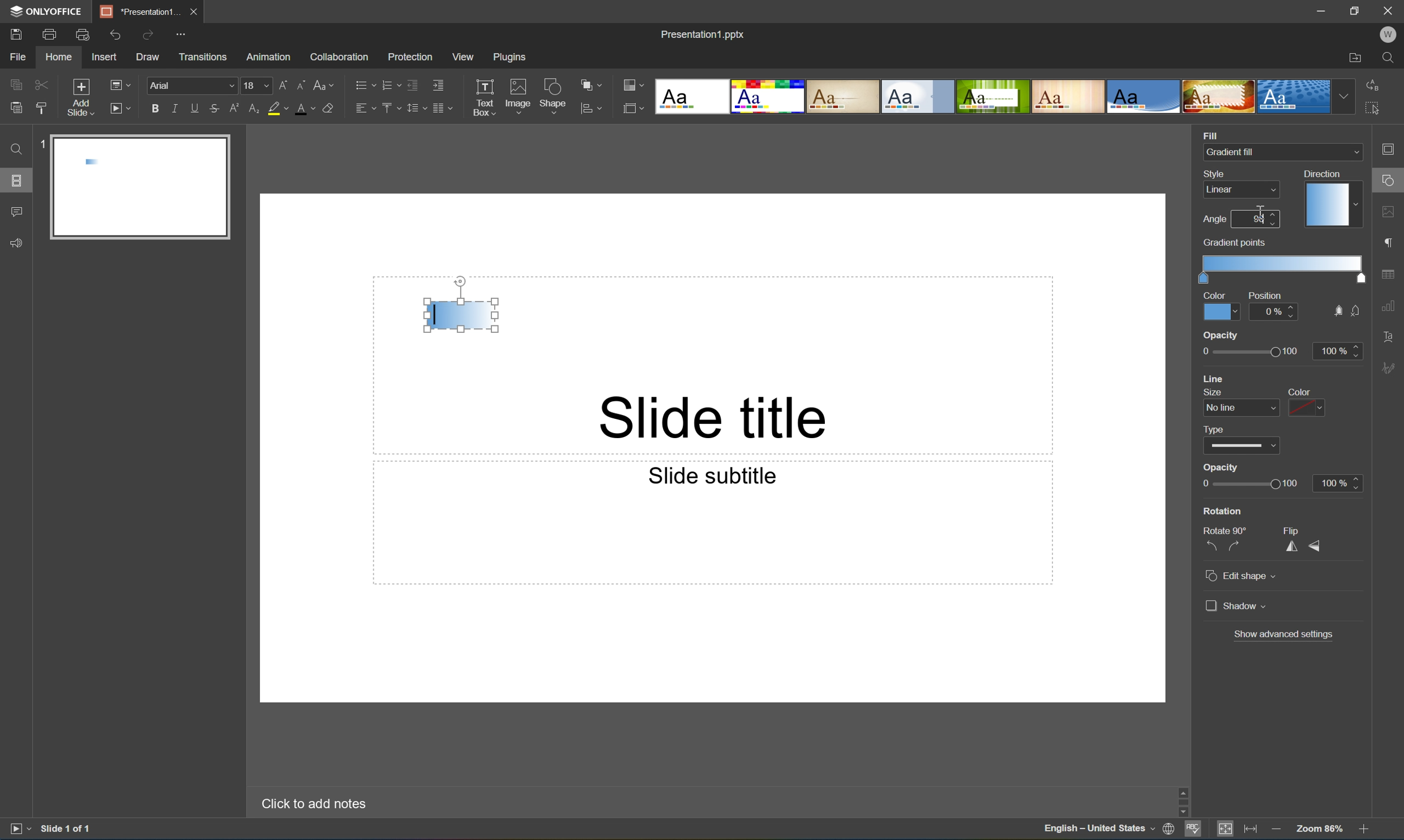 The height and width of the screenshot is (840, 1404). I want to click on Increase indent, so click(437, 84).